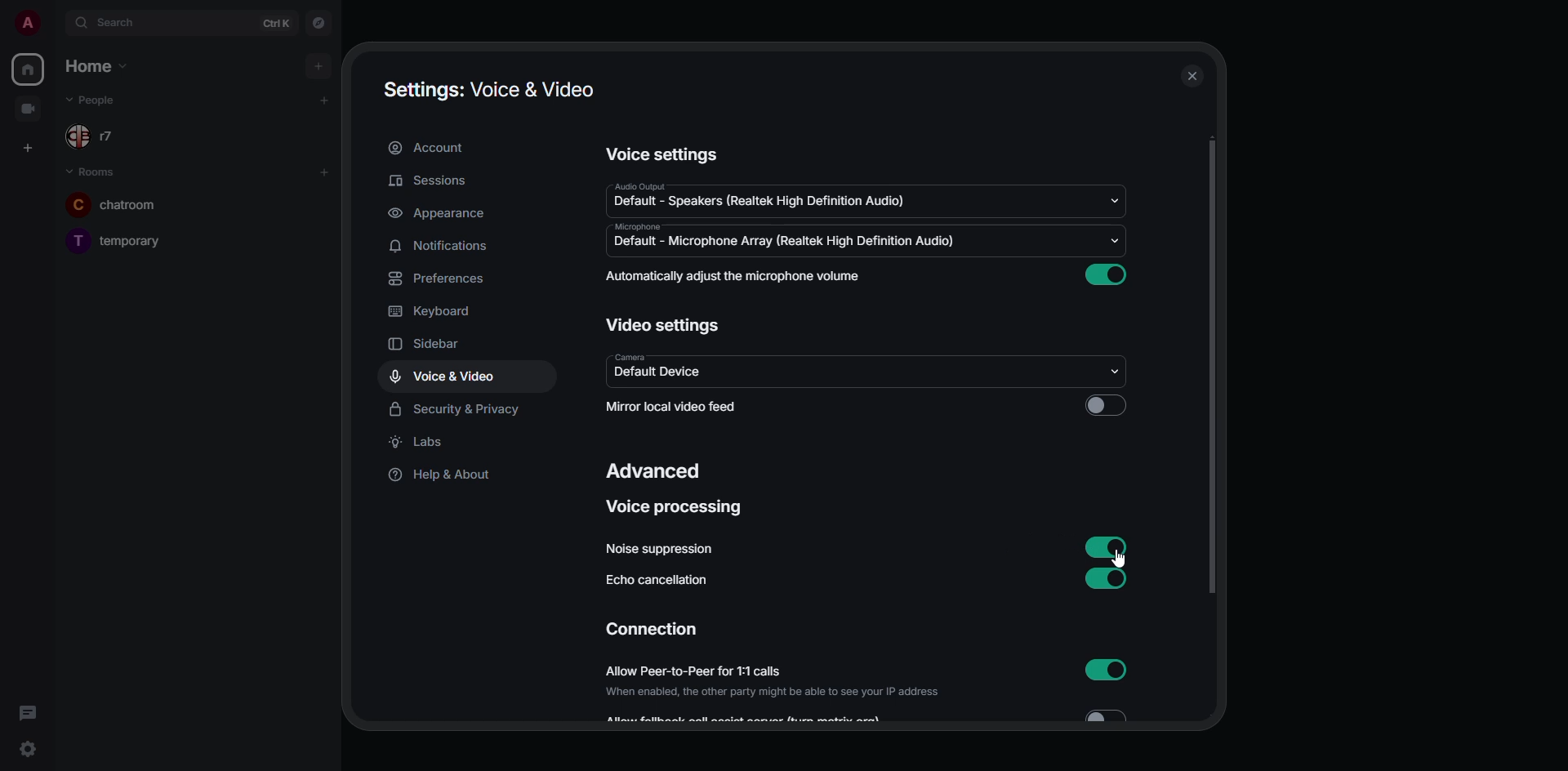 This screenshot has width=1568, height=771. Describe the element at coordinates (625, 356) in the screenshot. I see `camera` at that location.